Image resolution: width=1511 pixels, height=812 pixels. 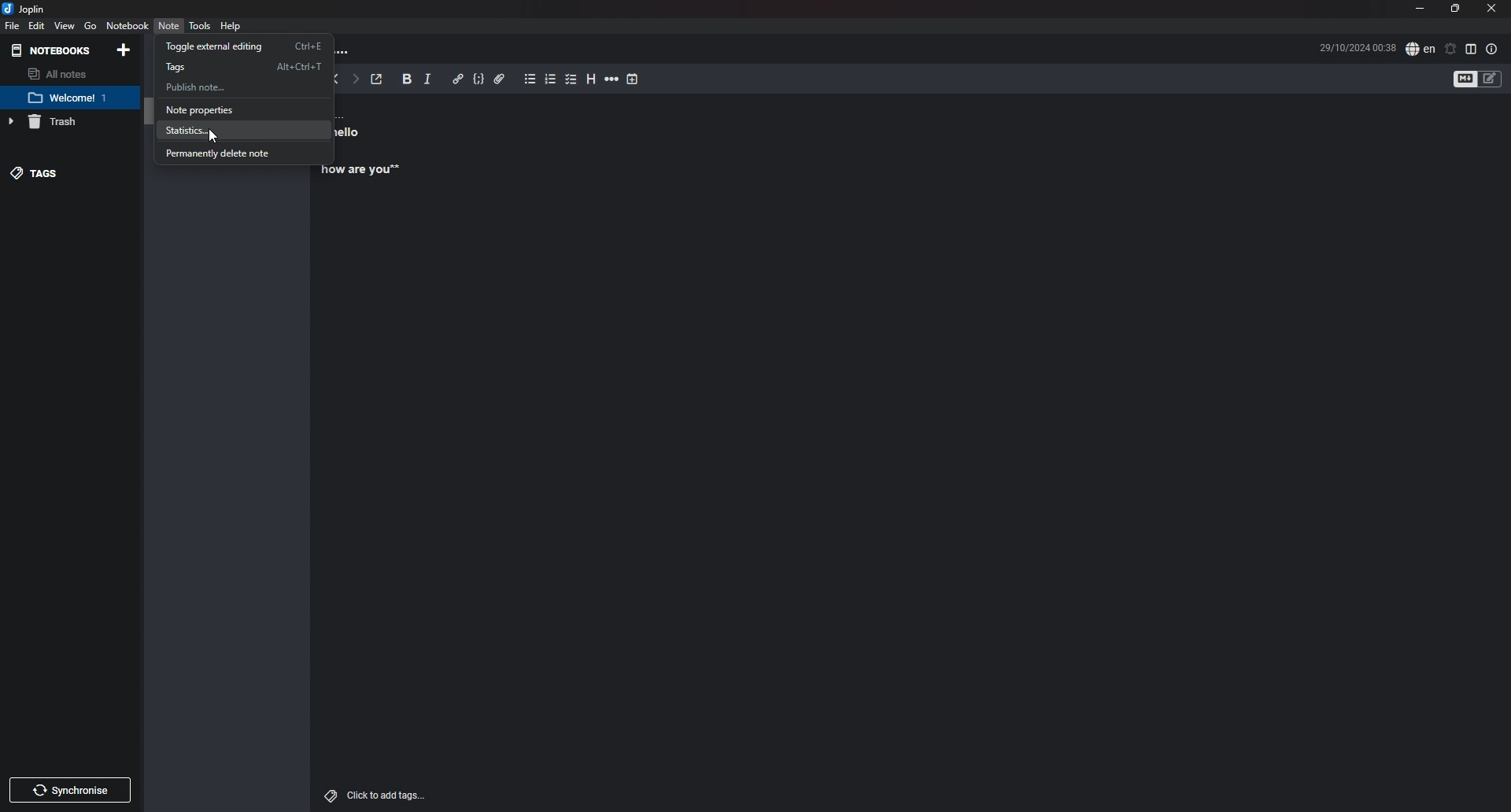 What do you see at coordinates (1493, 8) in the screenshot?
I see `close` at bounding box center [1493, 8].